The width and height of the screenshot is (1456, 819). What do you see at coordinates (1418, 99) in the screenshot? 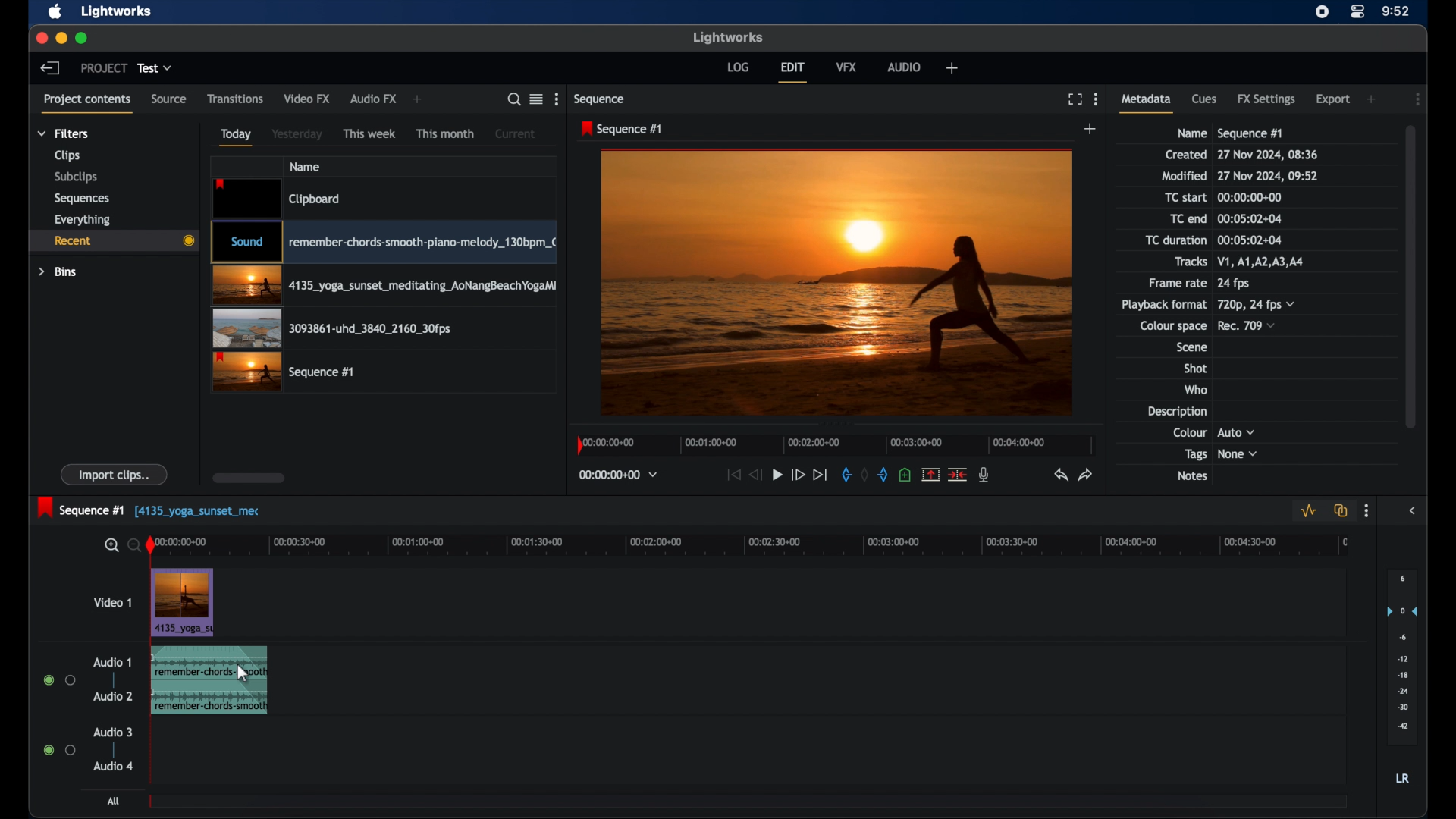
I see `more options` at bounding box center [1418, 99].